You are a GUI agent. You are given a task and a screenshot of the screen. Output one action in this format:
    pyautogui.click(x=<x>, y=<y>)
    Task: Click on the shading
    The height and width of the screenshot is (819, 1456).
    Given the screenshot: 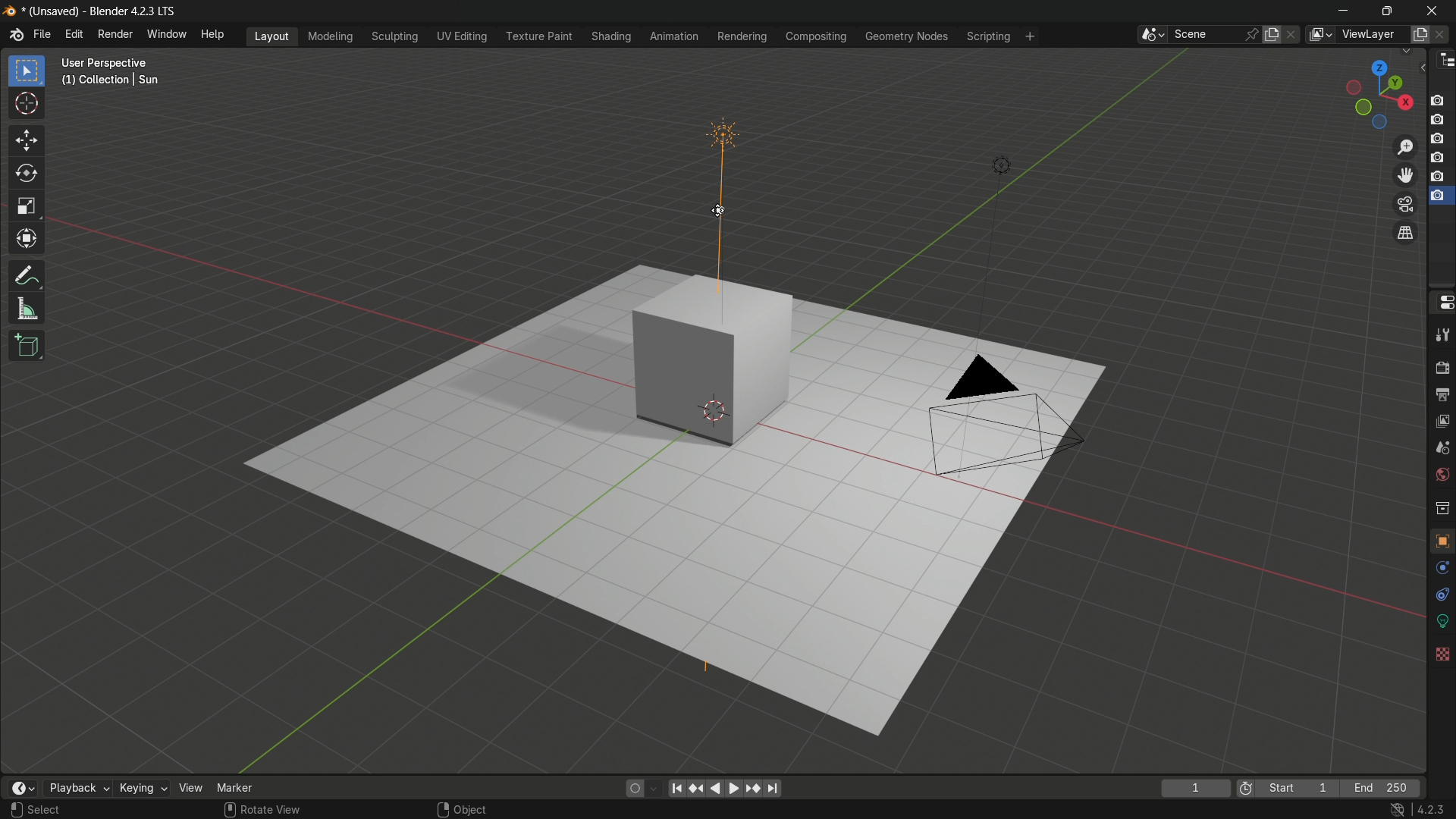 What is the action you would take?
    pyautogui.click(x=614, y=36)
    